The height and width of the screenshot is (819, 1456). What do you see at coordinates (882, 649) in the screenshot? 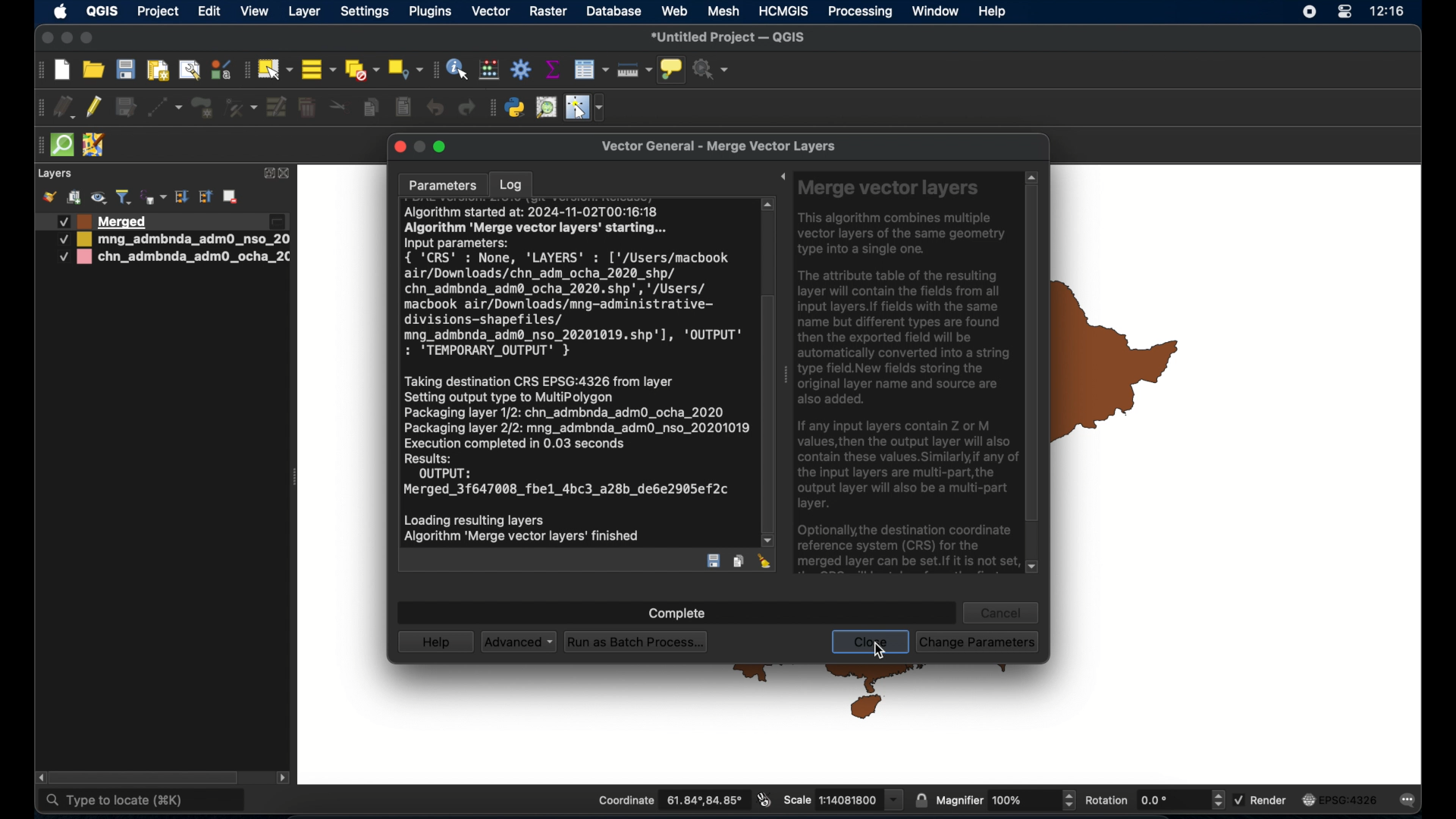
I see `cursor` at bounding box center [882, 649].